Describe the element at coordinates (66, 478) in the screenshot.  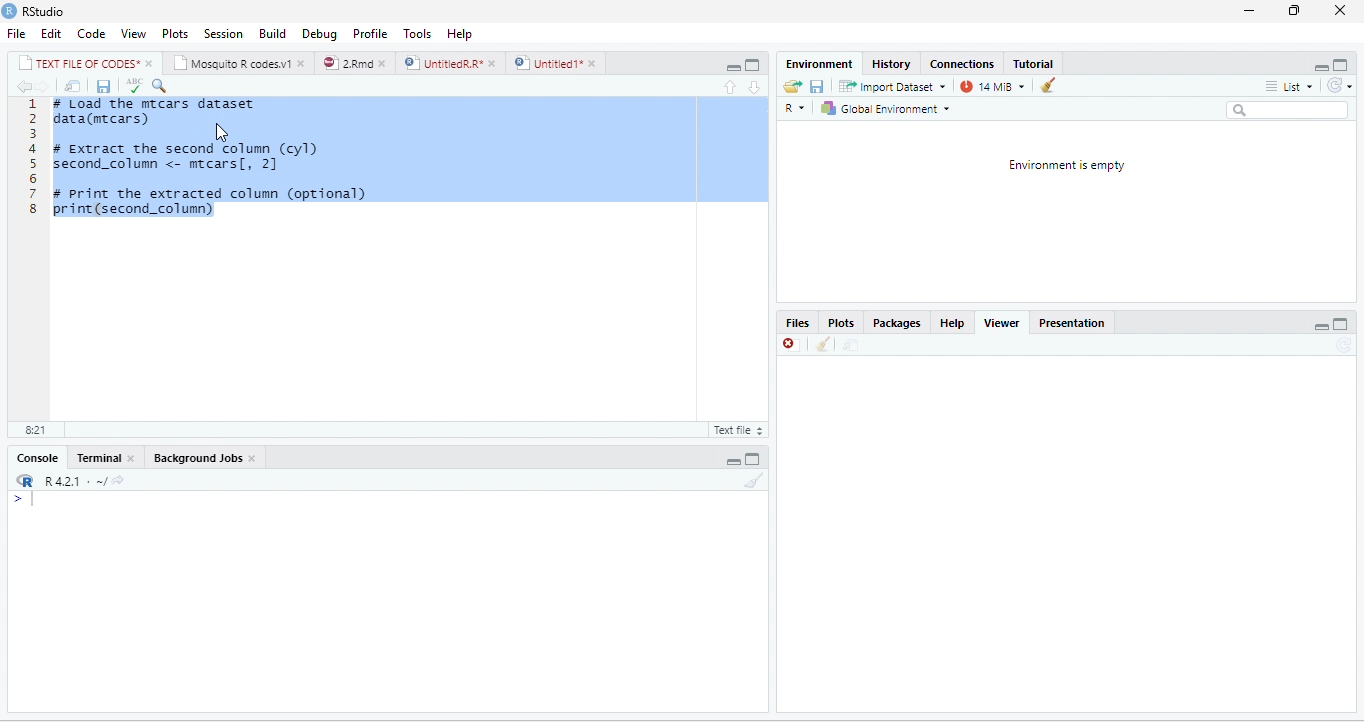
I see ` R421 « ~` at that location.